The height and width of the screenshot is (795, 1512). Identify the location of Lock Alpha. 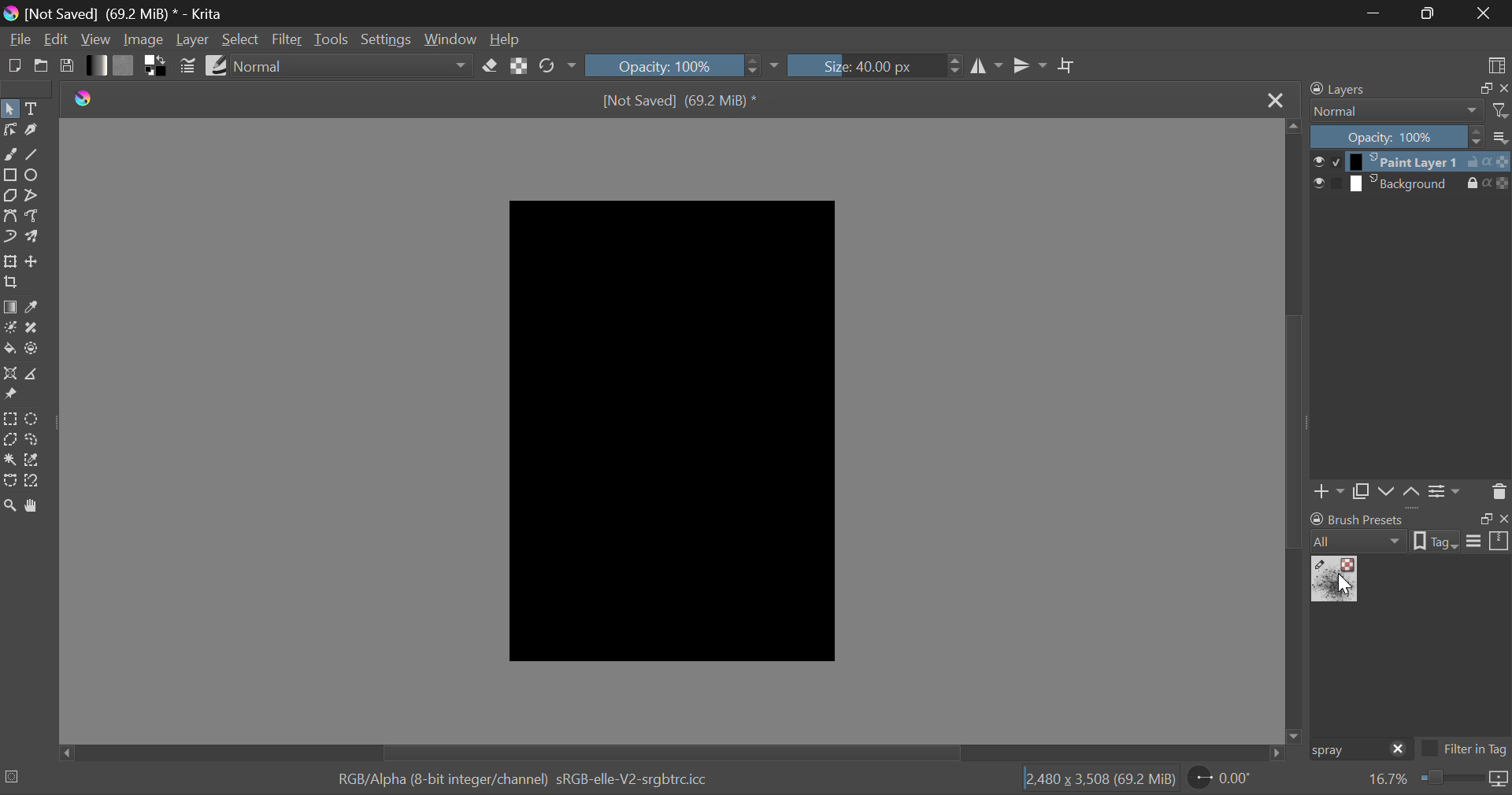
(520, 65).